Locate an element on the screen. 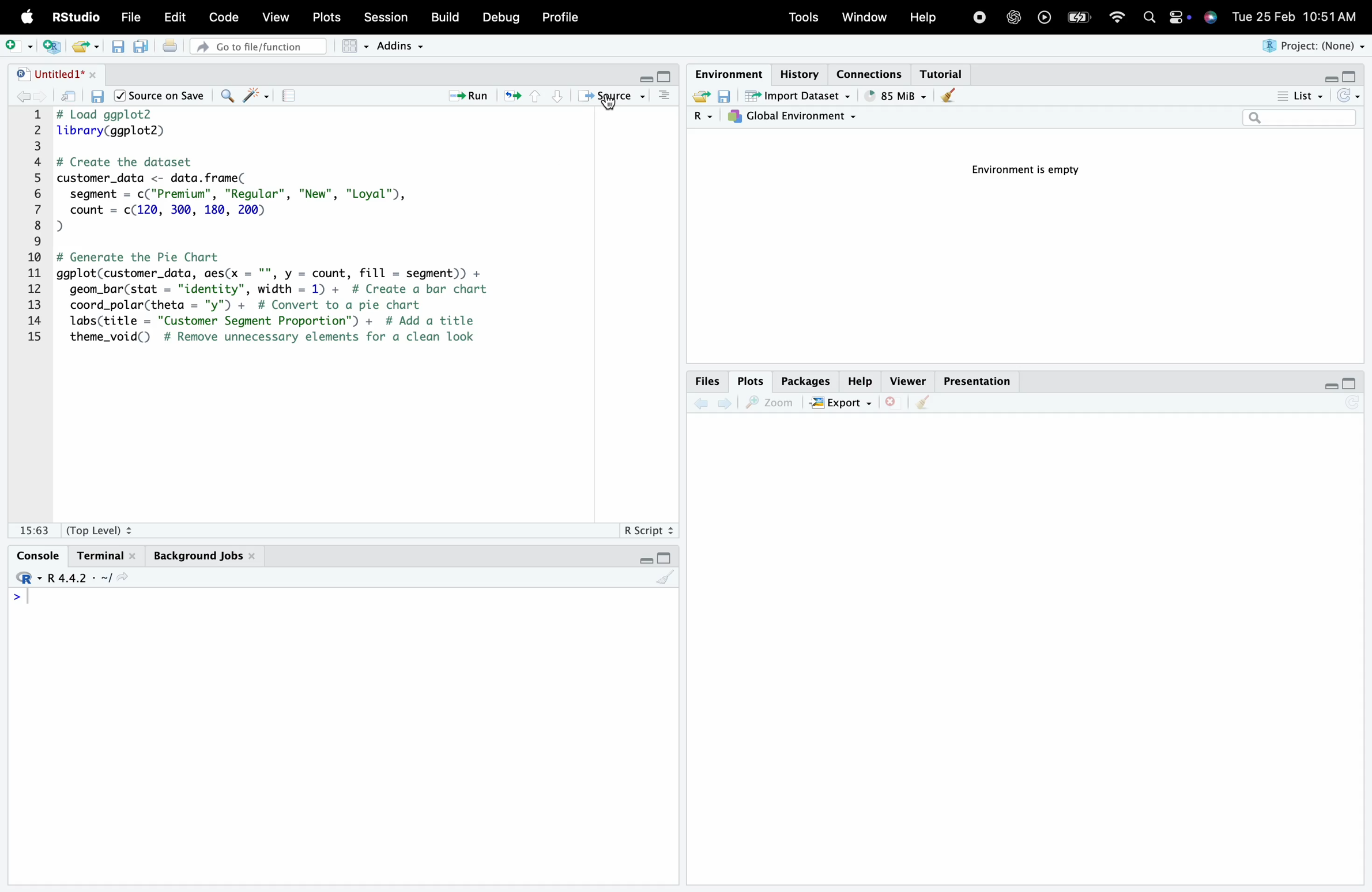 Image resolution: width=1372 pixels, height=892 pixels. Terminal is located at coordinates (105, 552).